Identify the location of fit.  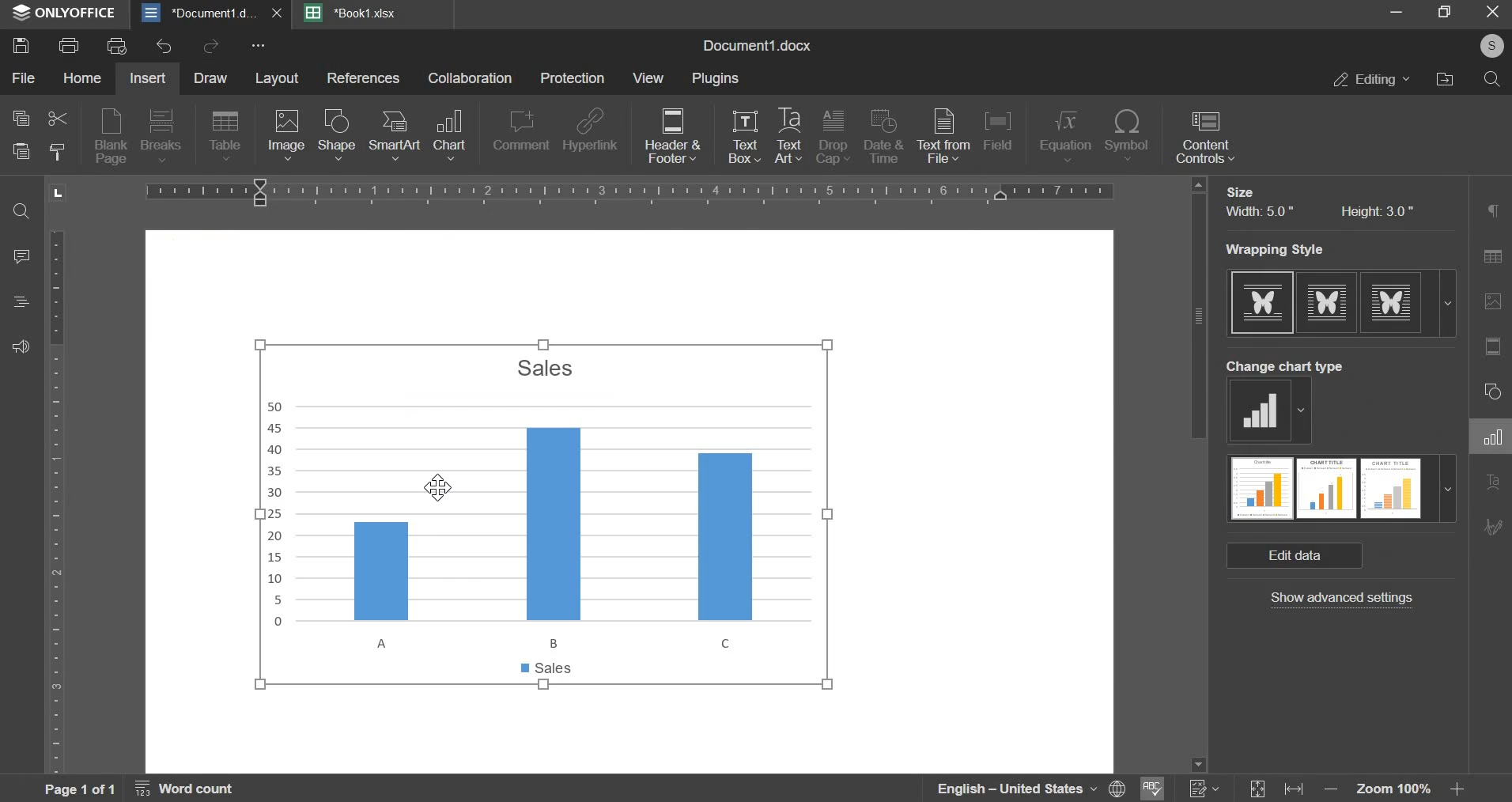
(1277, 788).